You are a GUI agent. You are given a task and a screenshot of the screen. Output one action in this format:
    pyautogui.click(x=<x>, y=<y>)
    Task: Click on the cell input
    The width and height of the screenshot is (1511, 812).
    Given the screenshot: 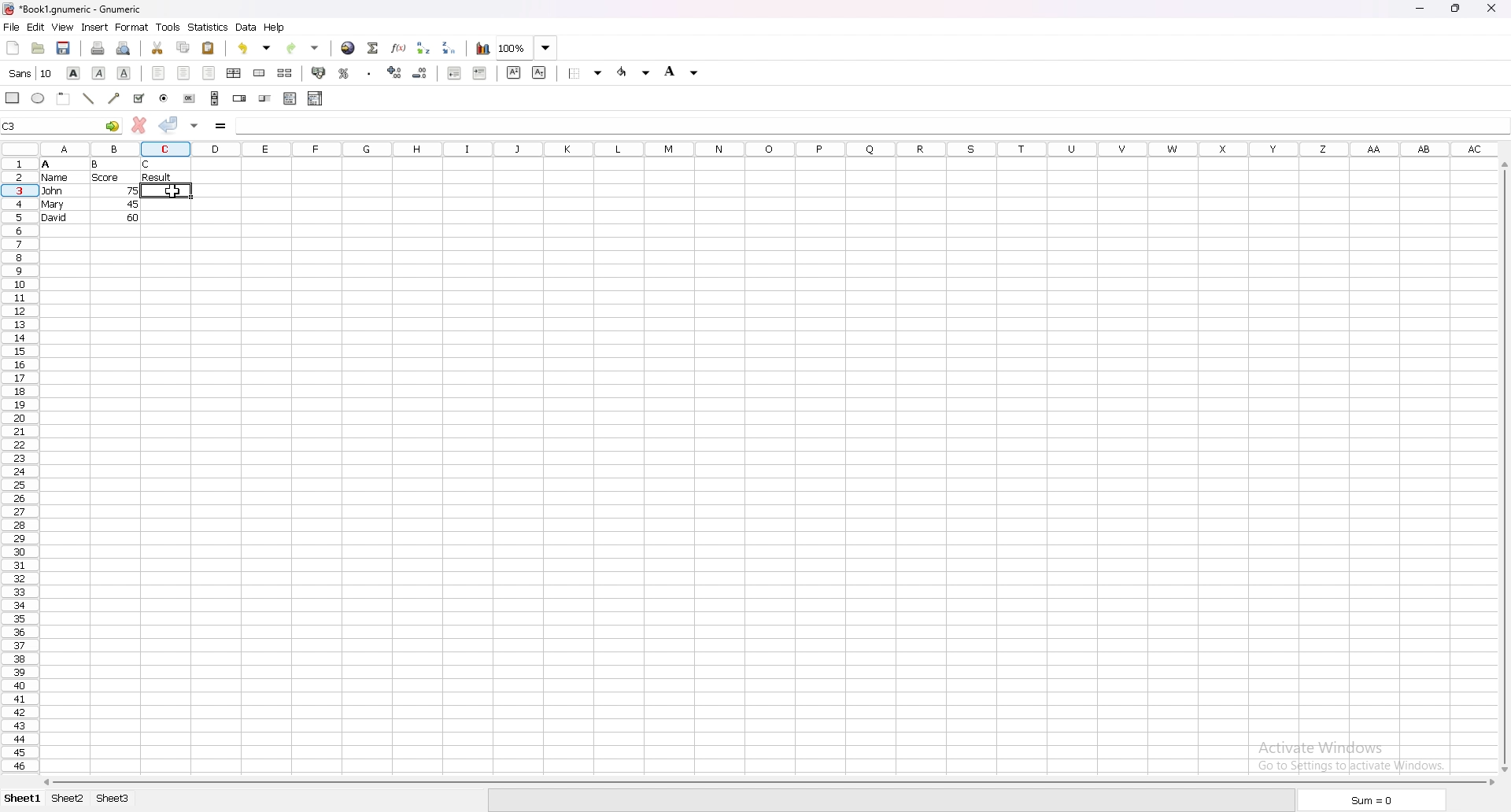 What is the action you would take?
    pyautogui.click(x=871, y=125)
    